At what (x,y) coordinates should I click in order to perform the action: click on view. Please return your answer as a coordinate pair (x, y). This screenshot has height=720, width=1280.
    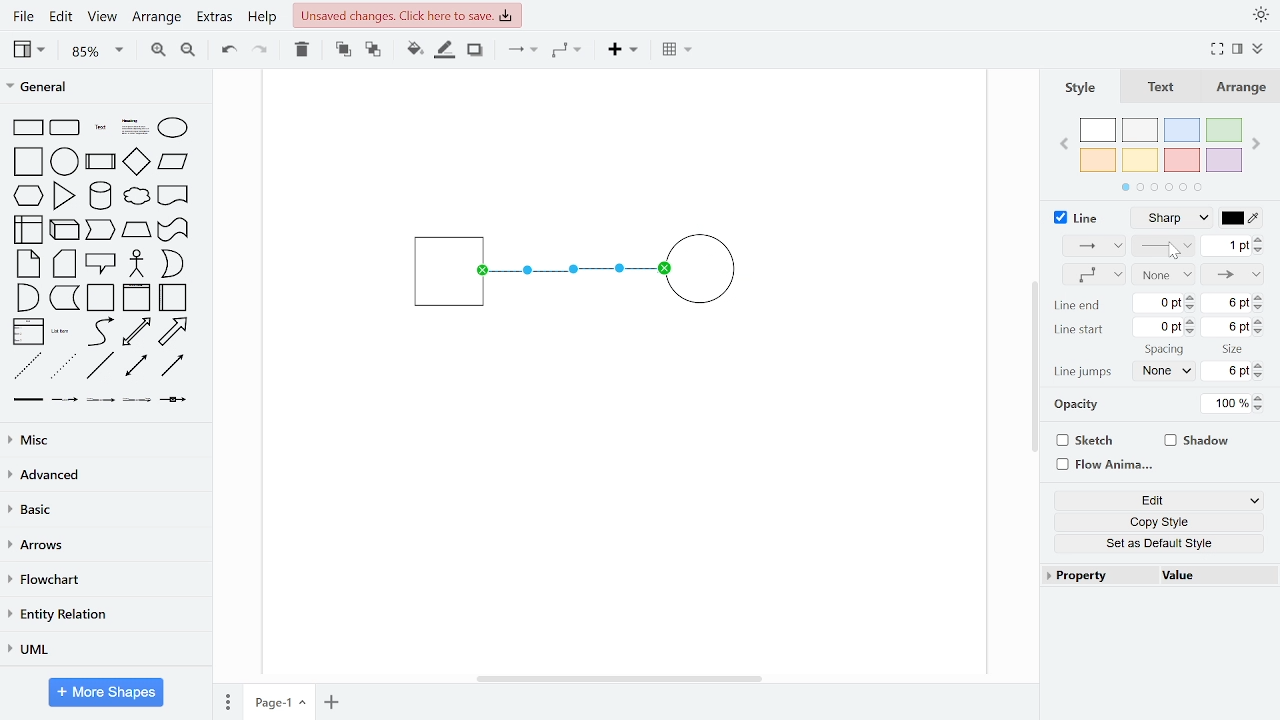
    Looking at the image, I should click on (32, 49).